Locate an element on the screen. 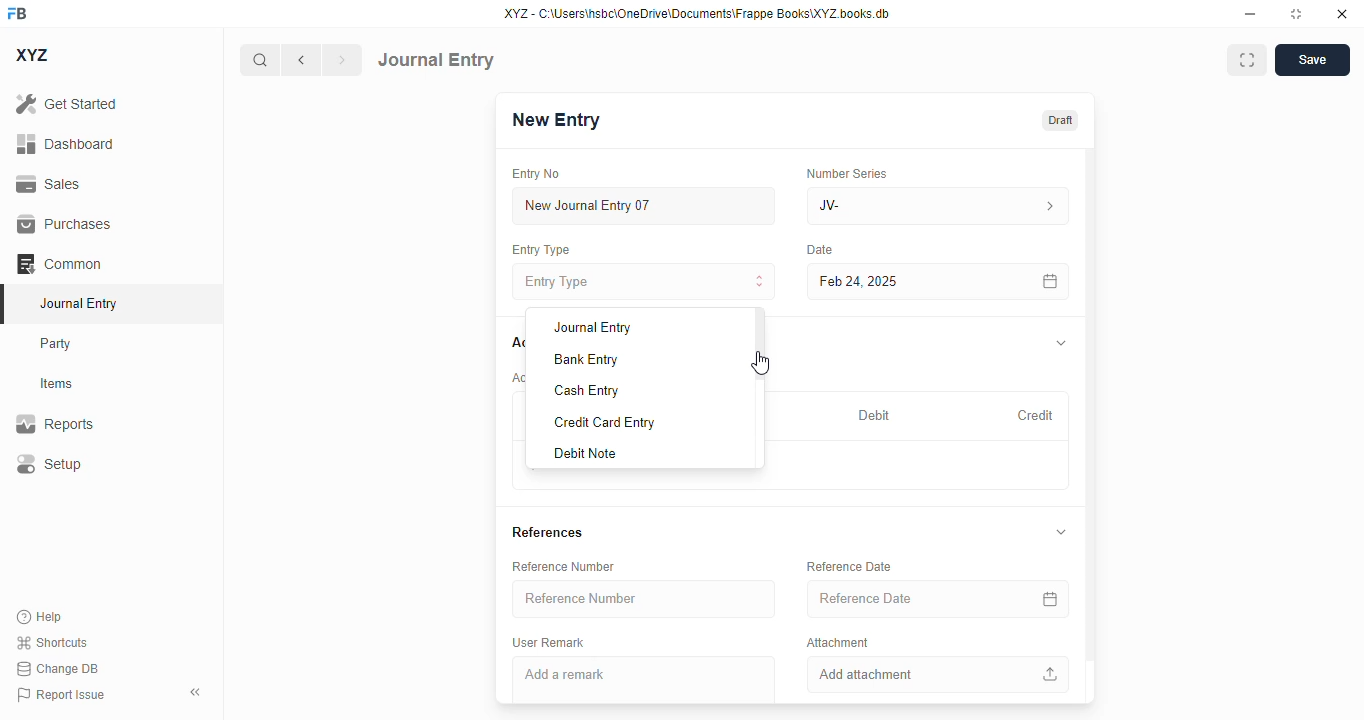 The height and width of the screenshot is (720, 1364). calendar icon is located at coordinates (1051, 281).